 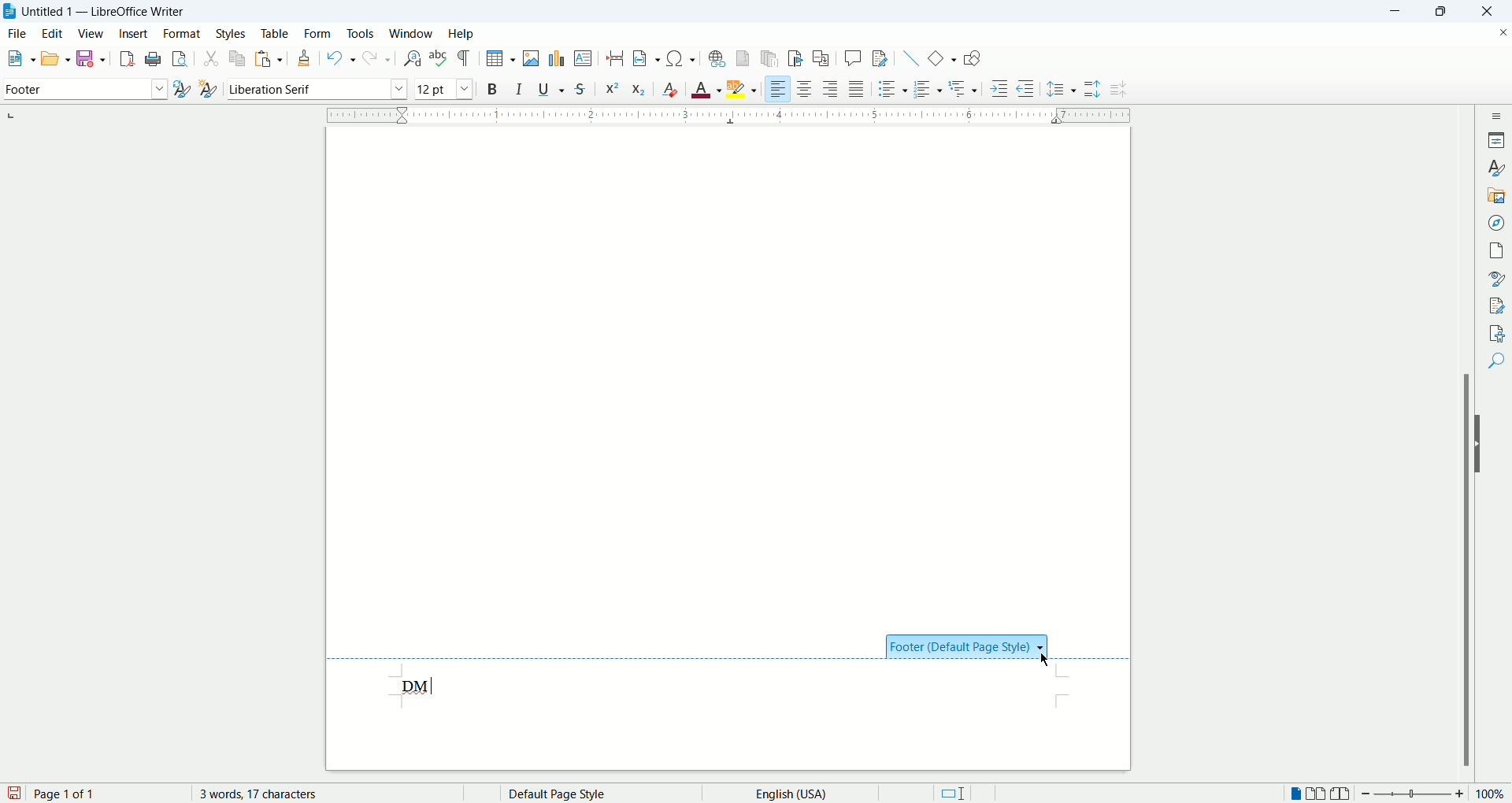 What do you see at coordinates (970, 653) in the screenshot?
I see `footer section` at bounding box center [970, 653].